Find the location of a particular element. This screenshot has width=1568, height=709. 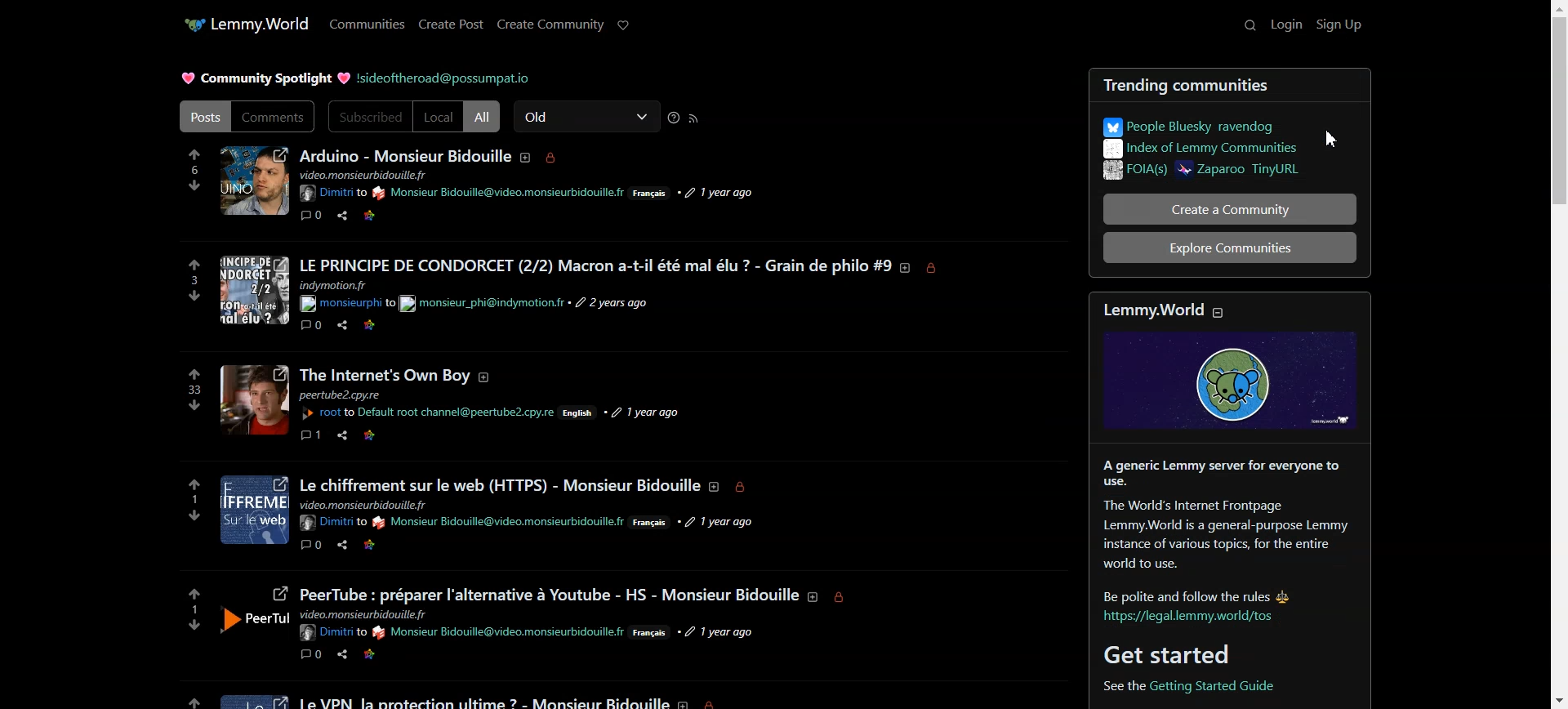

Home Page is located at coordinates (263, 21).